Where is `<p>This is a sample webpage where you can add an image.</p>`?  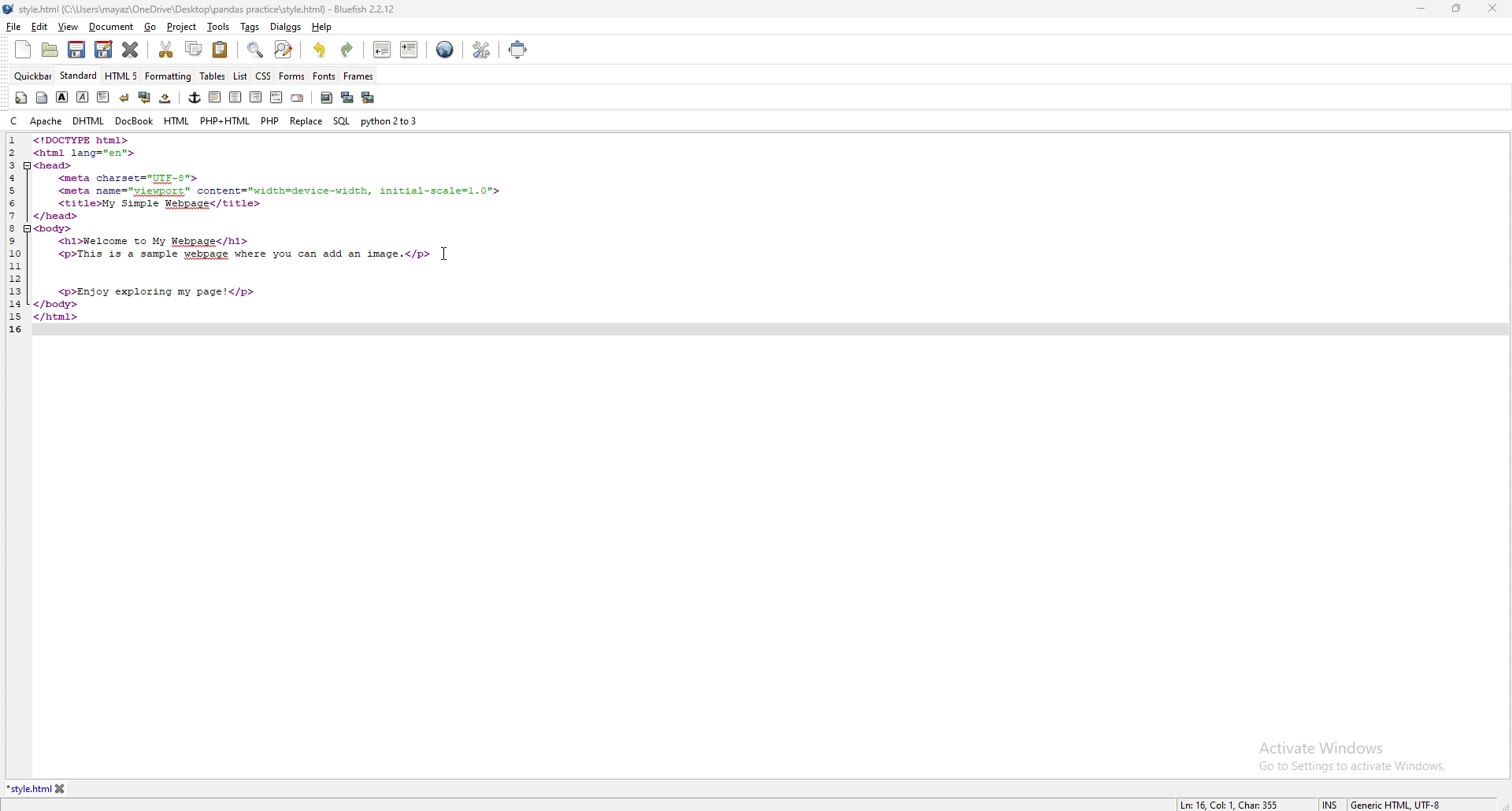
<p>This is a sample webpage where you can add an image.</p> is located at coordinates (244, 255).